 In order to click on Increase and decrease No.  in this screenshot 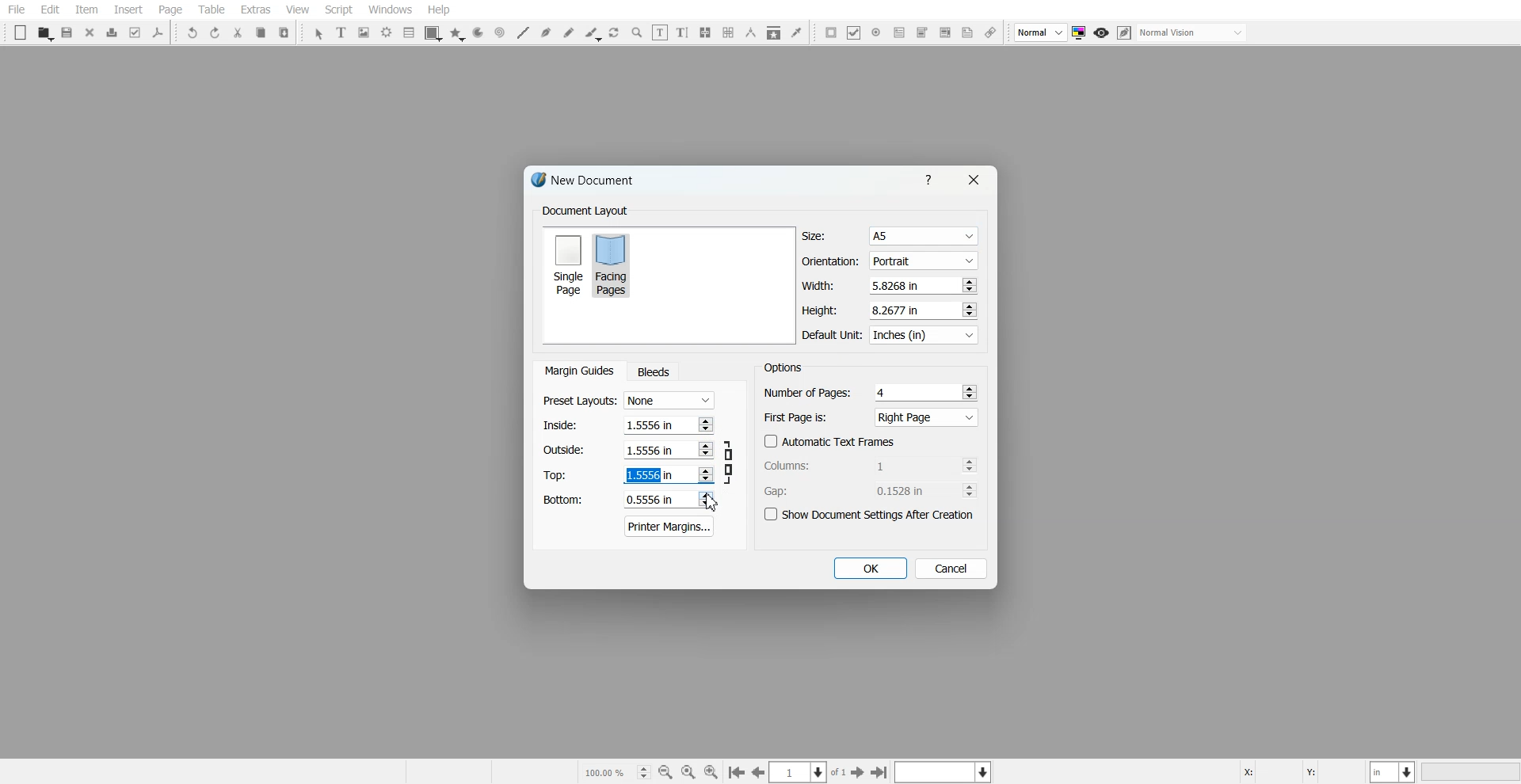, I will do `click(706, 450)`.